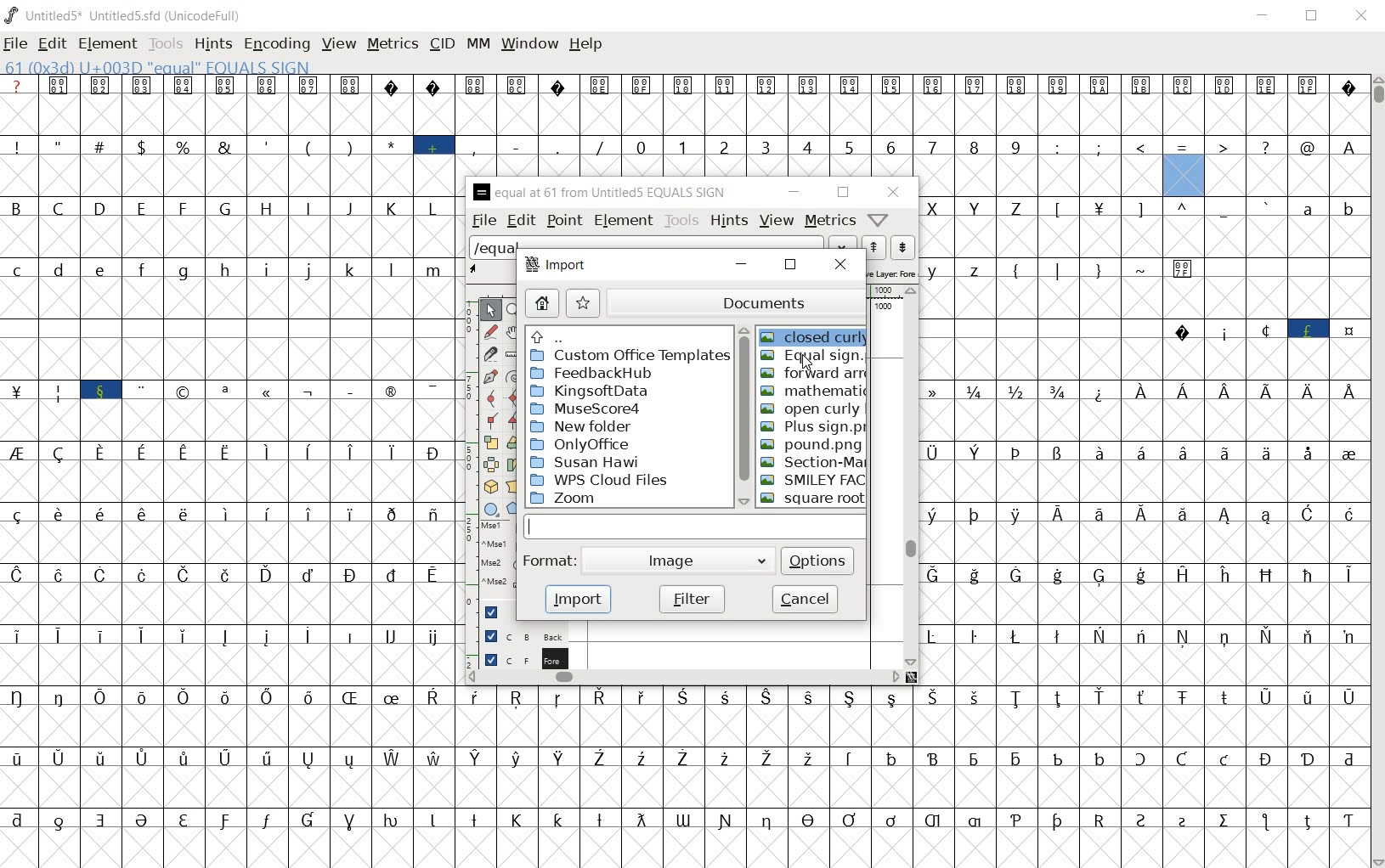  What do you see at coordinates (164, 42) in the screenshot?
I see `tools` at bounding box center [164, 42].